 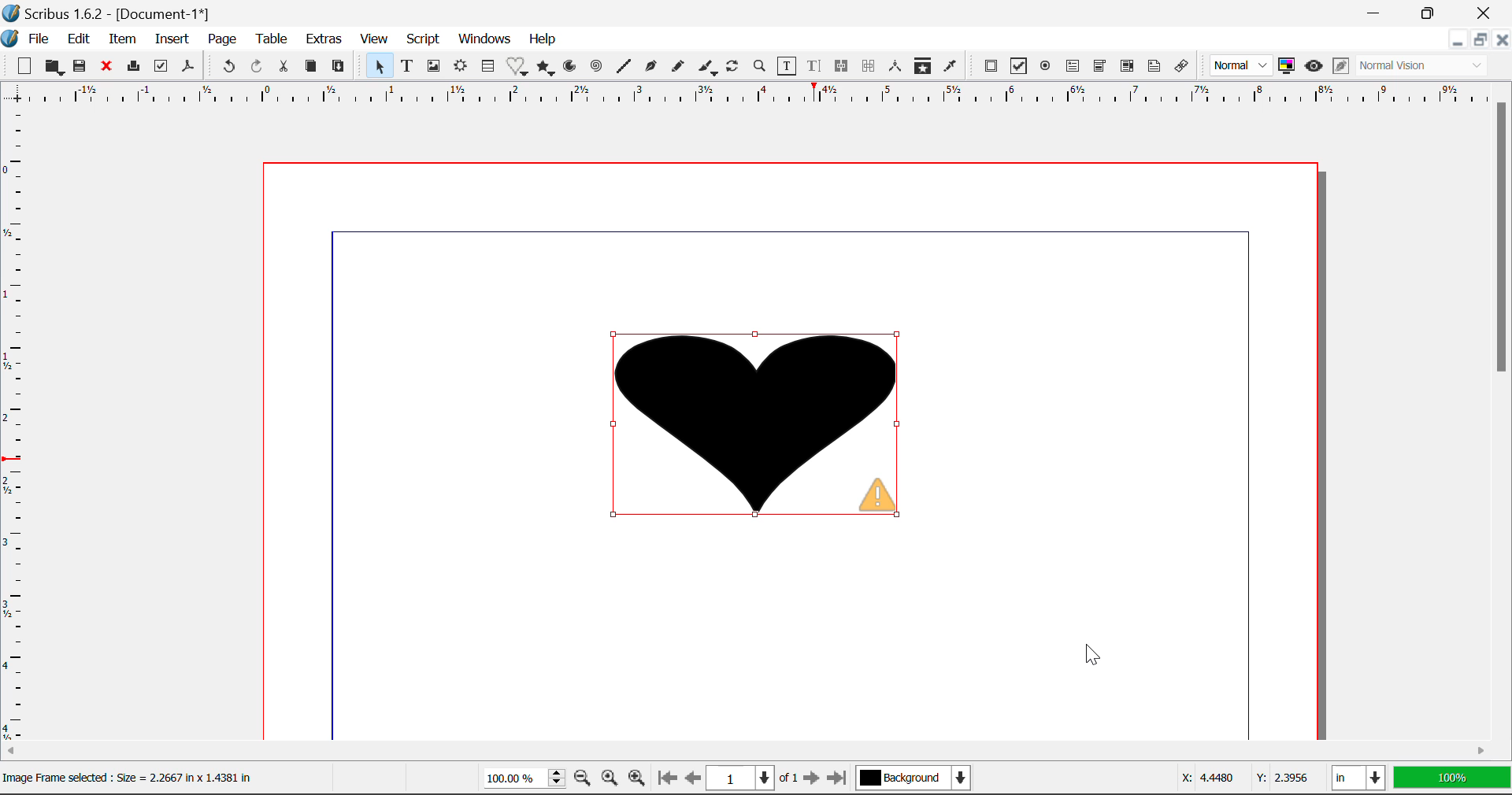 What do you see at coordinates (433, 66) in the screenshot?
I see `Image Frames` at bounding box center [433, 66].